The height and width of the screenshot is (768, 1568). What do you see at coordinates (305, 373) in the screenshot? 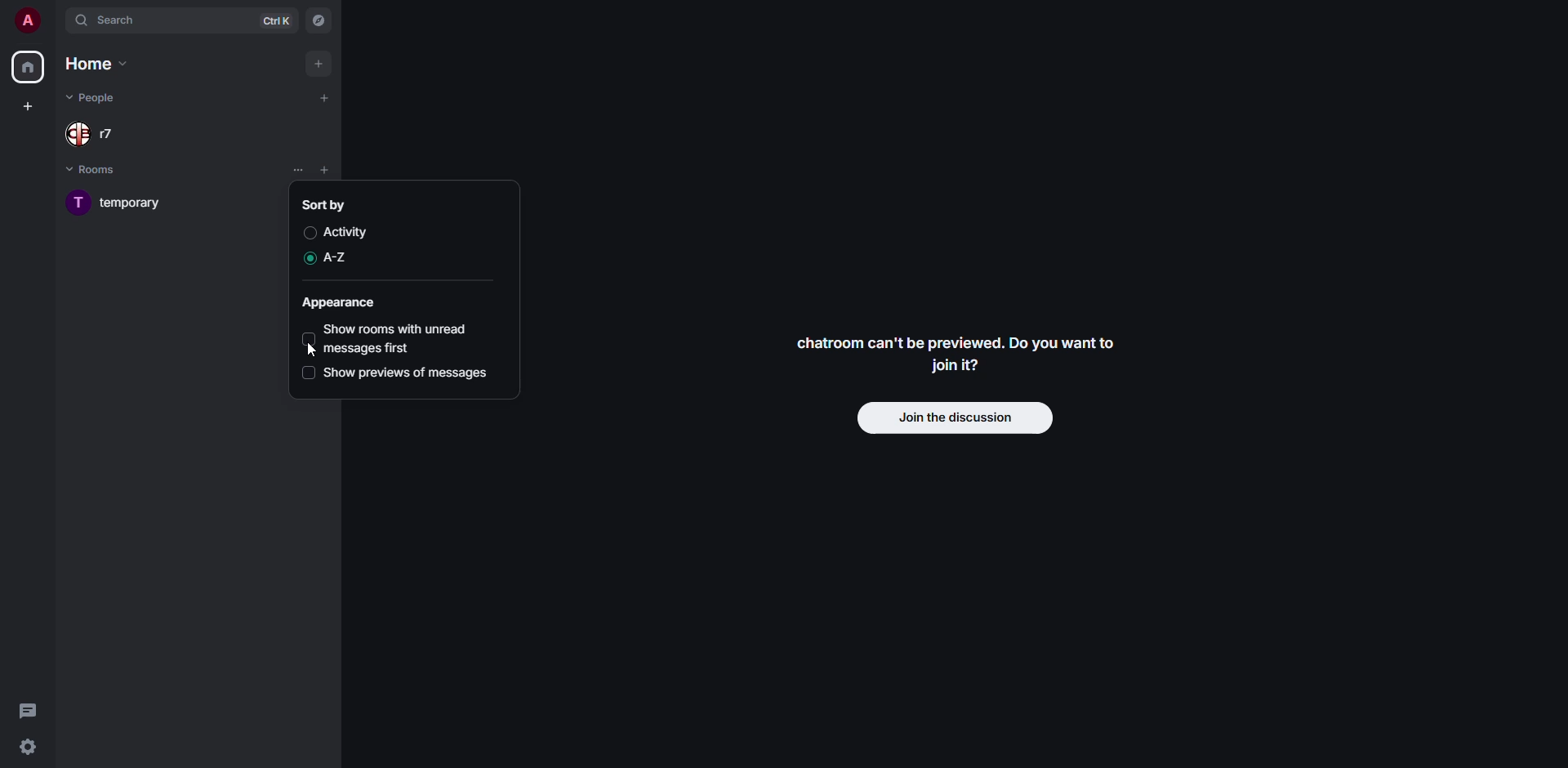
I see `disabled` at bounding box center [305, 373].